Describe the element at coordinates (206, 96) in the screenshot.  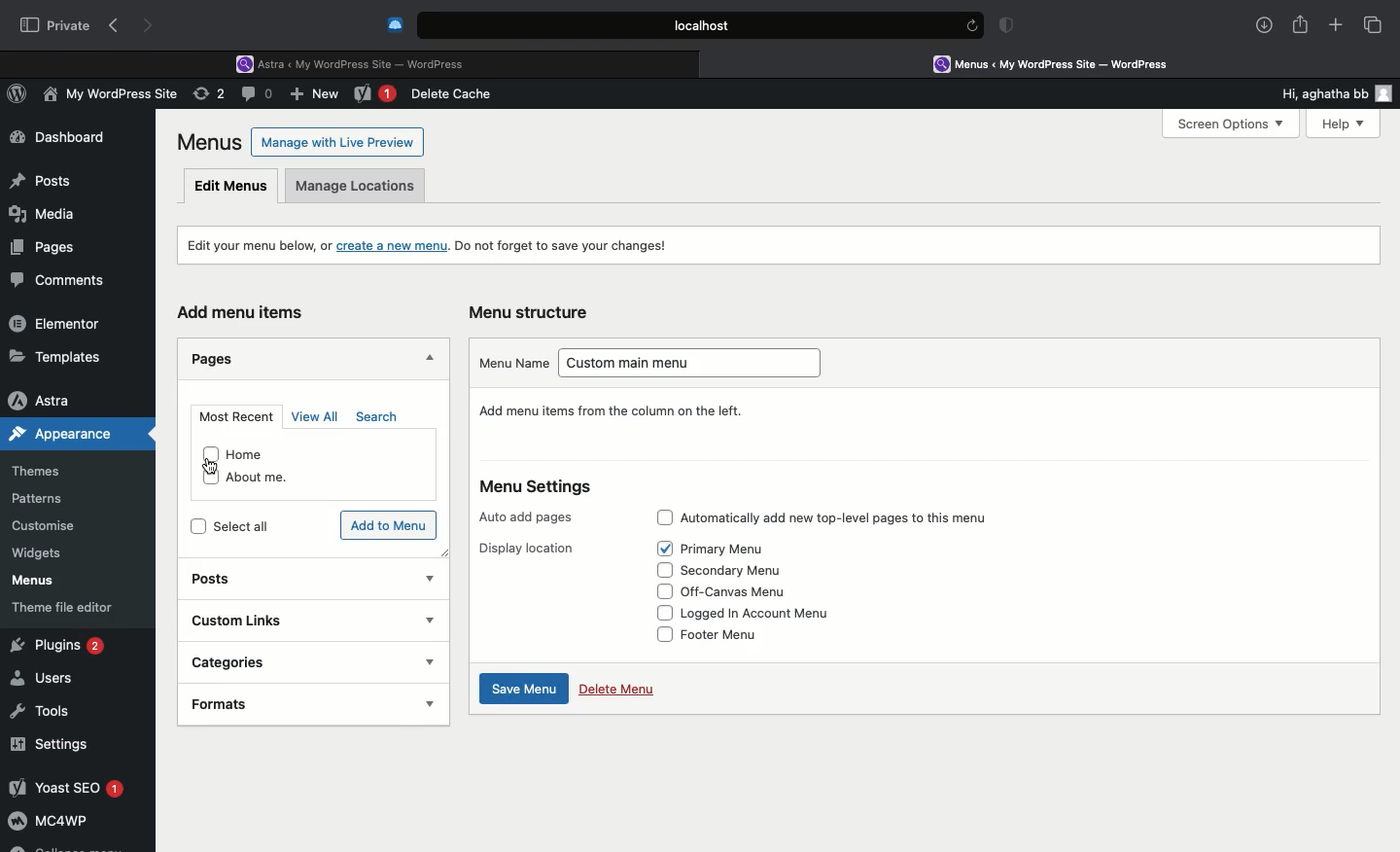
I see `Revision (2)` at that location.